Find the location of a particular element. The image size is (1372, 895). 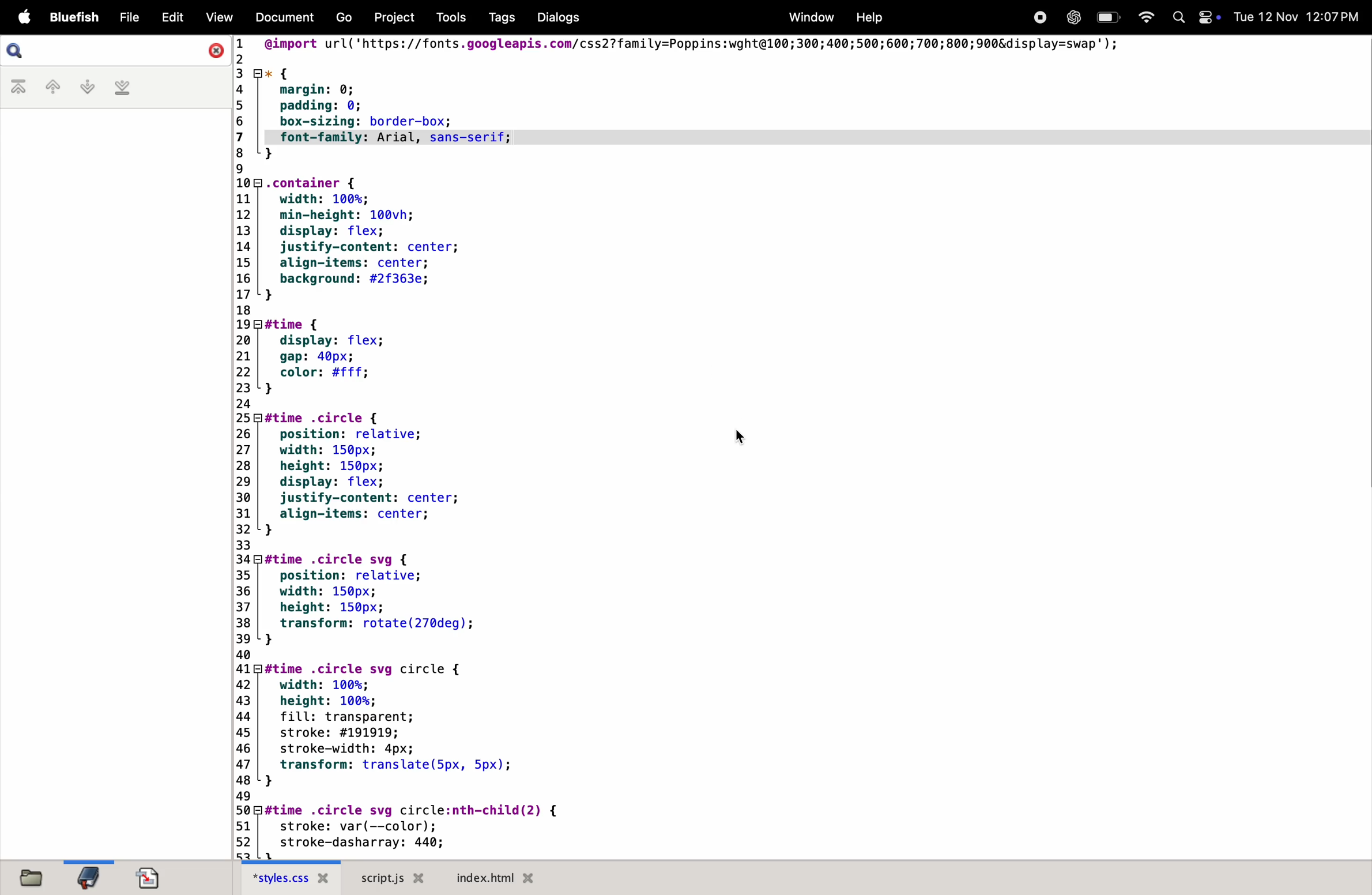

tags is located at coordinates (497, 18).